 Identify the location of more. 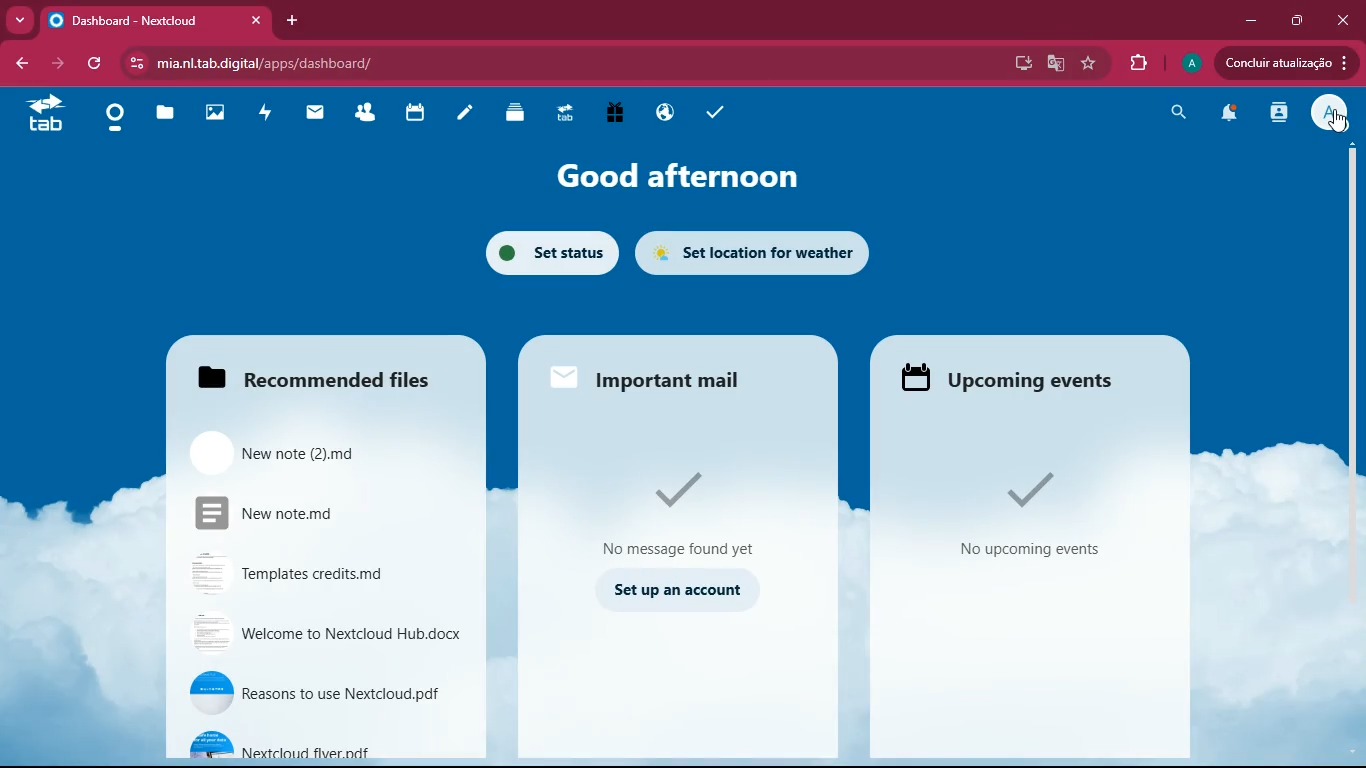
(18, 21).